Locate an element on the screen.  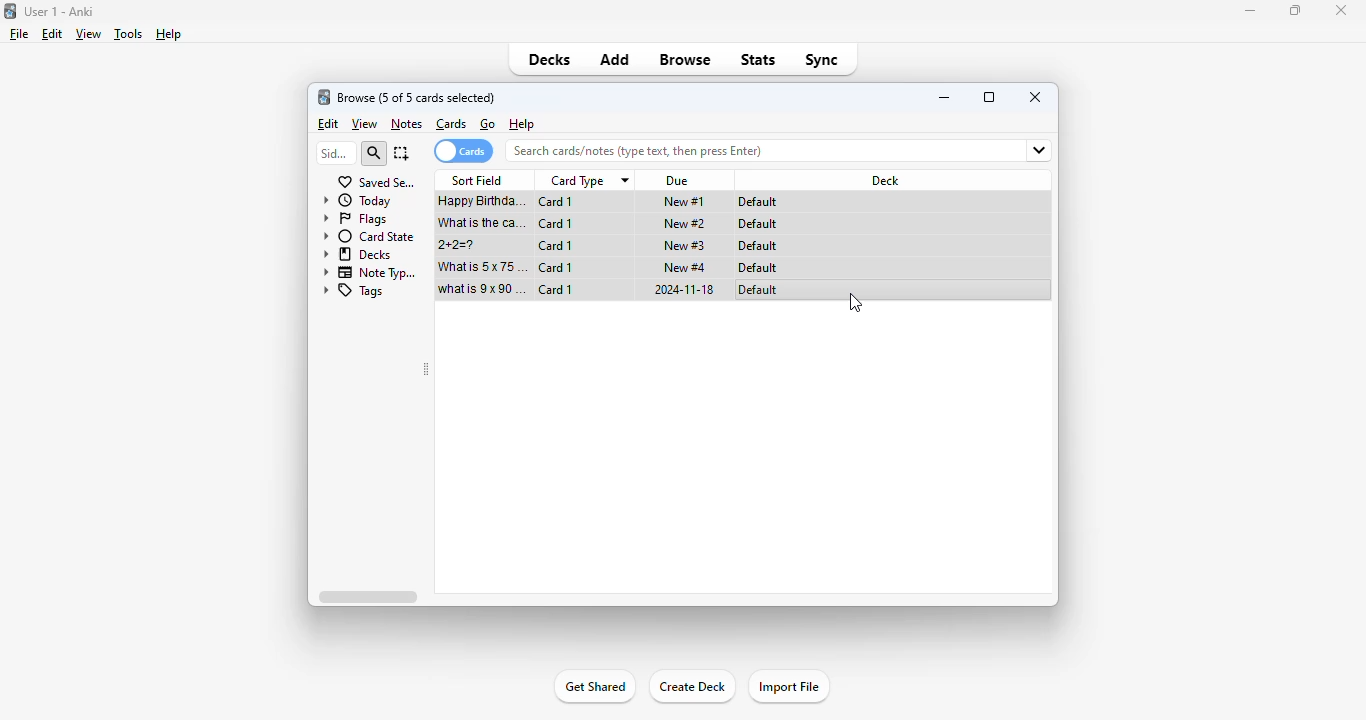
default is located at coordinates (757, 224).